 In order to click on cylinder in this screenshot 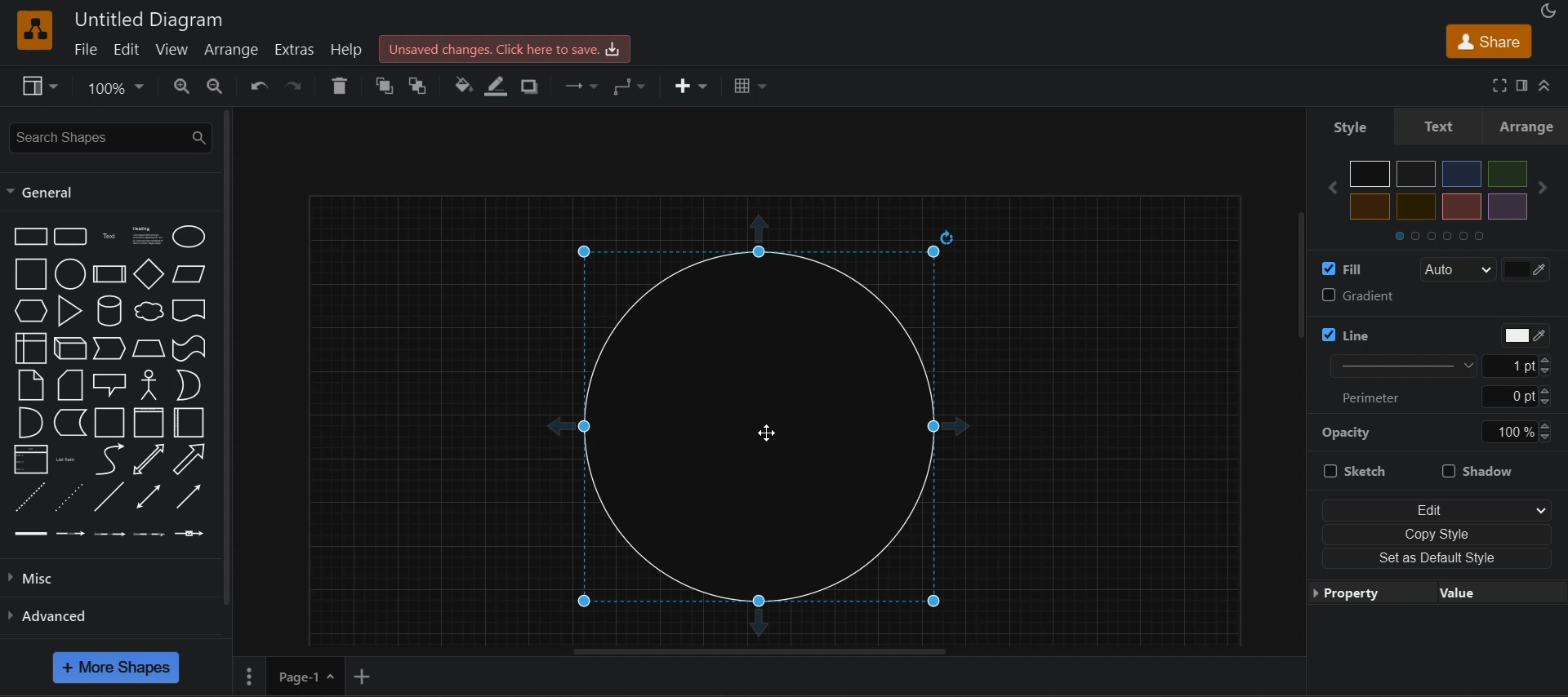, I will do `click(112, 311)`.